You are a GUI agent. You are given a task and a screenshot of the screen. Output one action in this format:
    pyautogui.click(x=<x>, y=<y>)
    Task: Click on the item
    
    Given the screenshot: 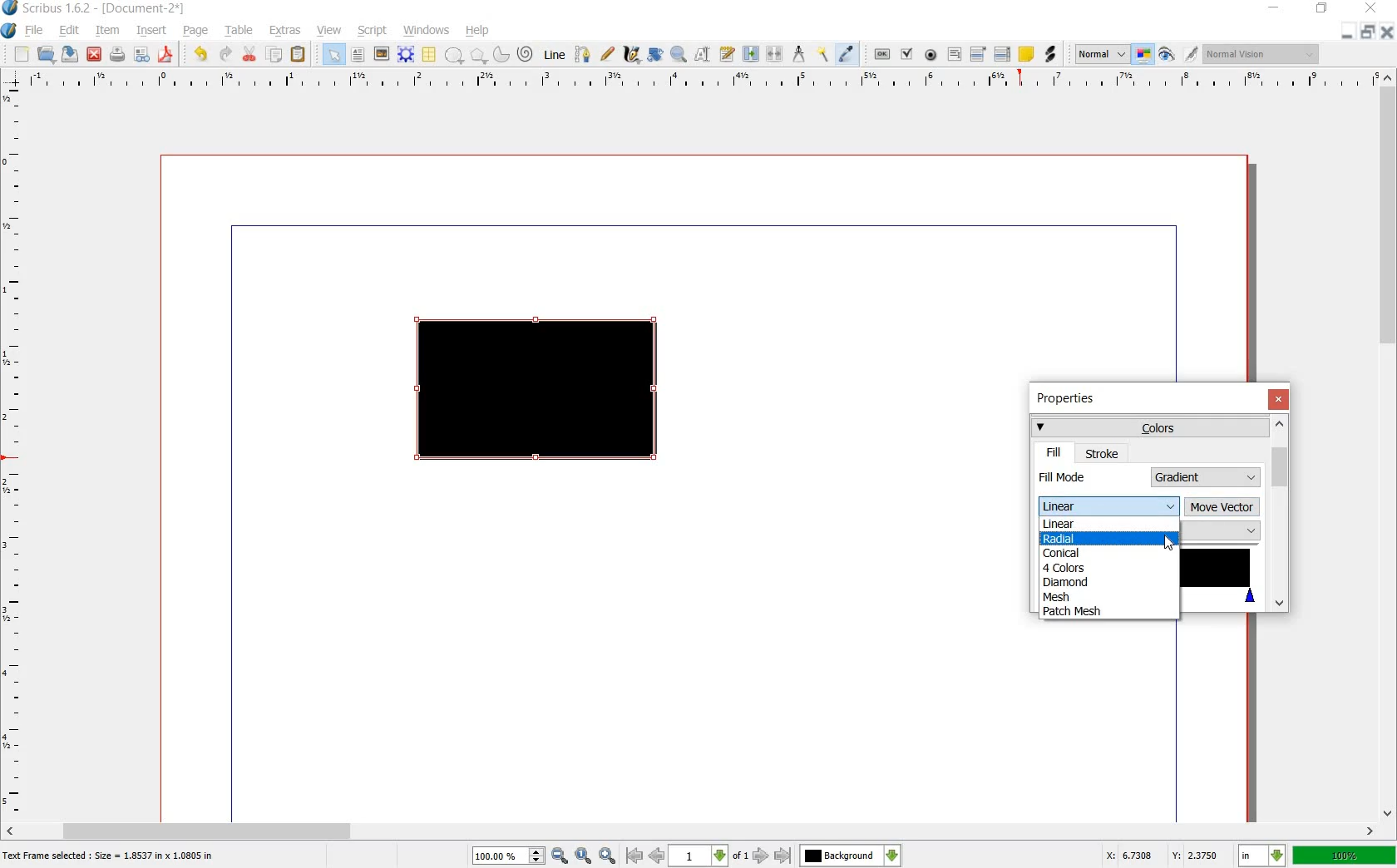 What is the action you would take?
    pyautogui.click(x=106, y=32)
    